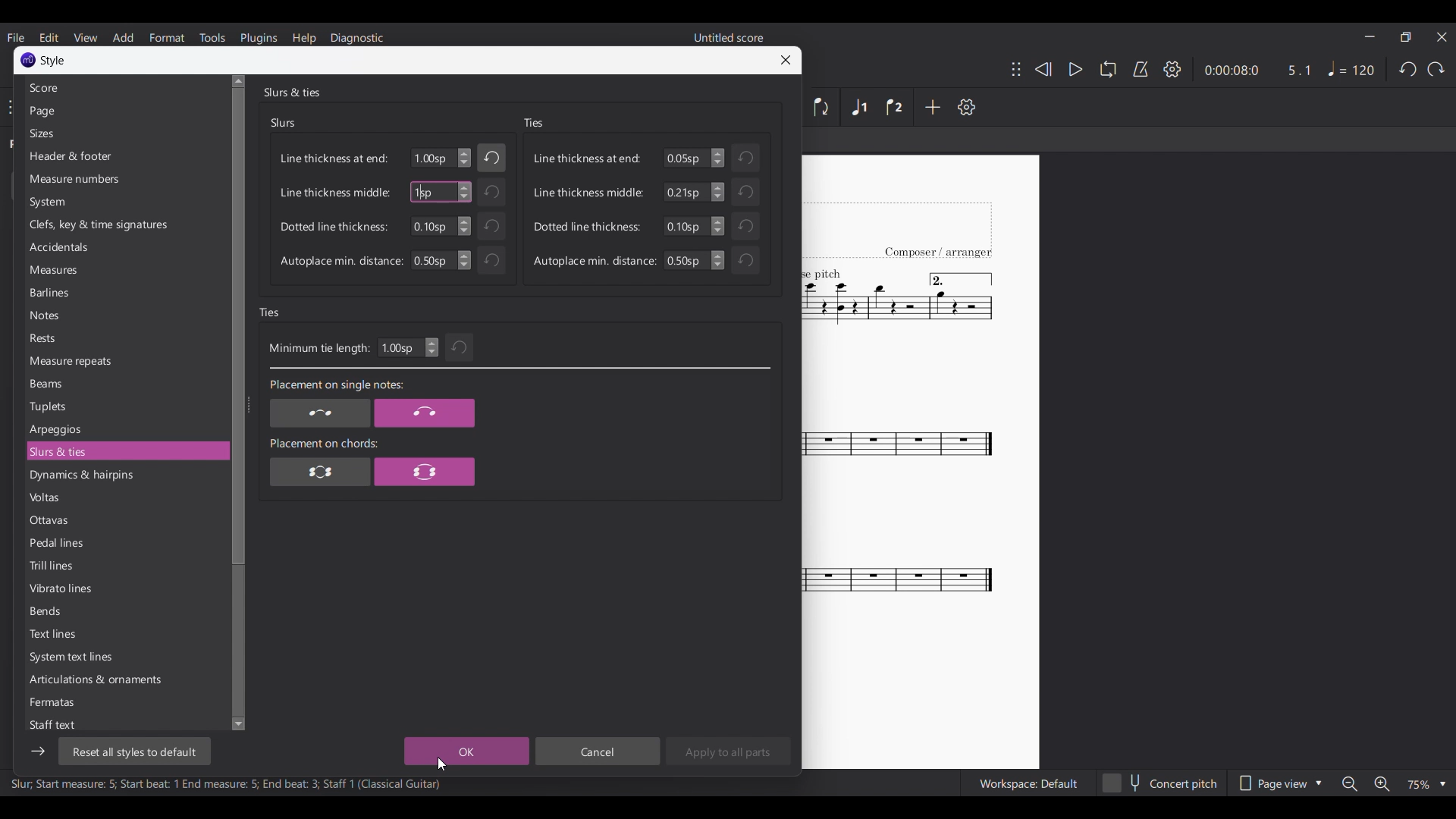 The image size is (1456, 819). What do you see at coordinates (125, 337) in the screenshot?
I see `Rests` at bounding box center [125, 337].